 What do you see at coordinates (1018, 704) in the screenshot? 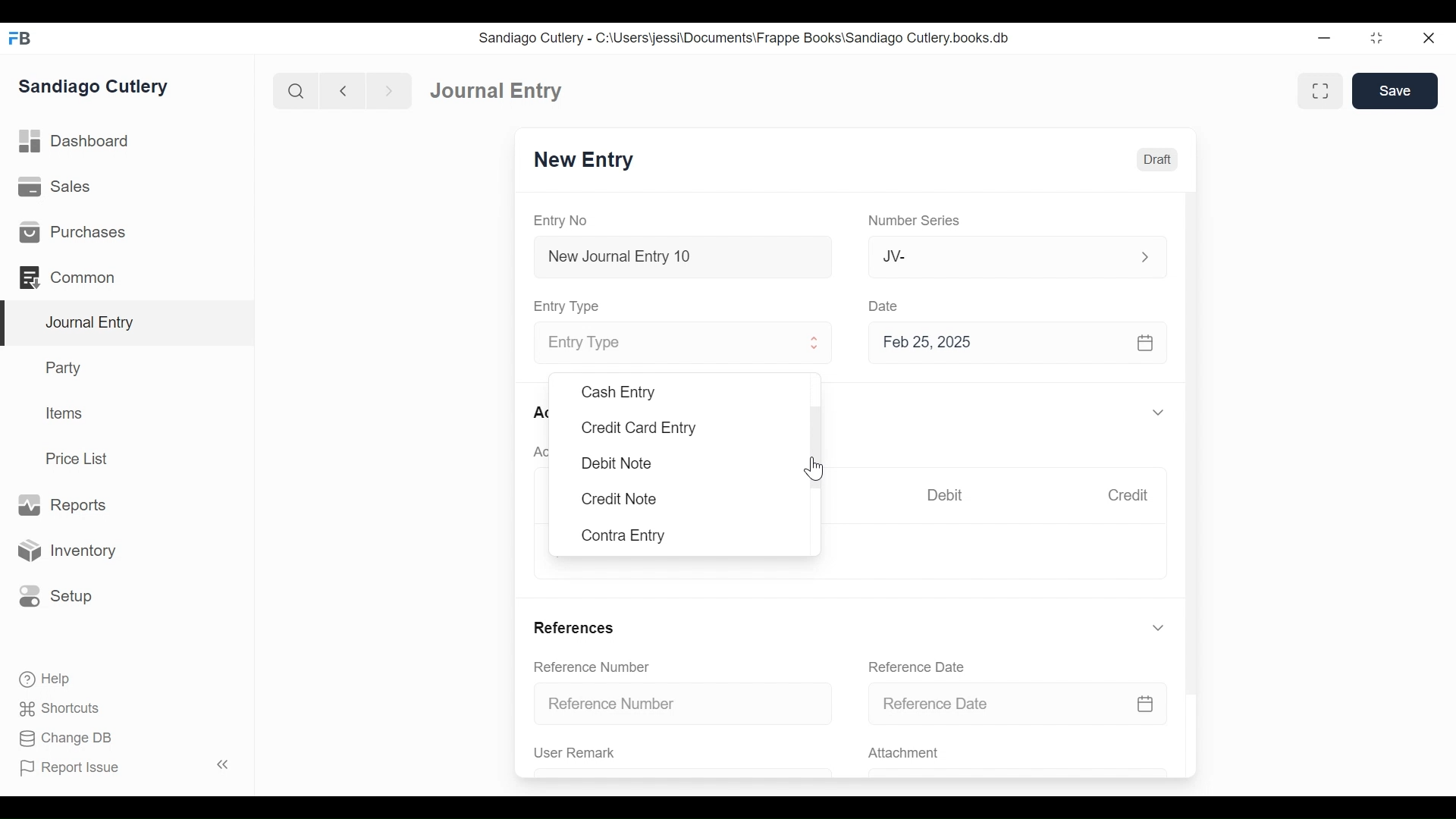
I see `Reference Date` at bounding box center [1018, 704].